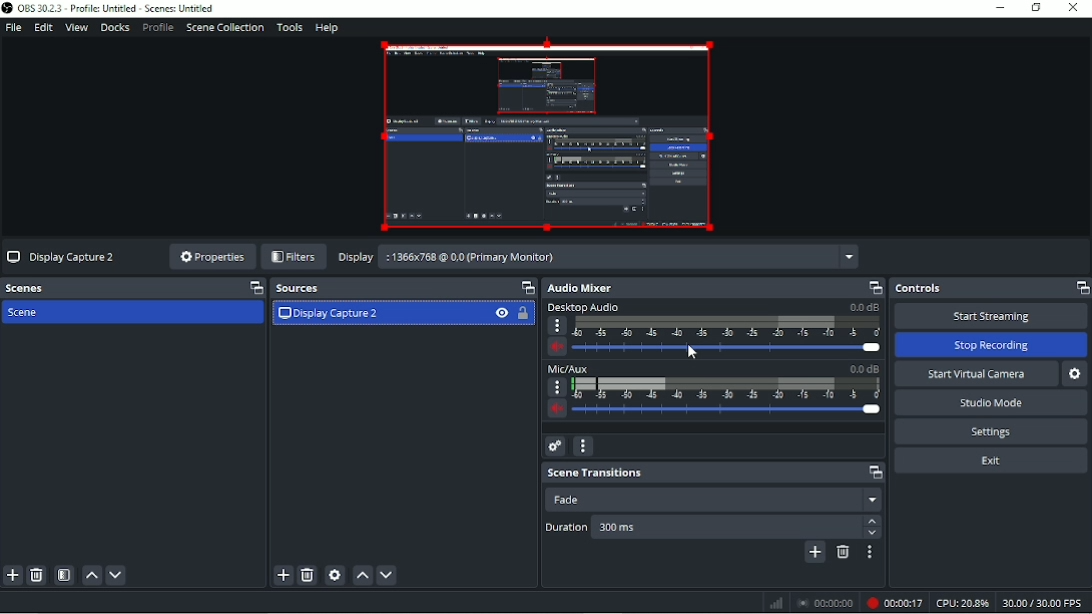 The image size is (1092, 614). What do you see at coordinates (115, 28) in the screenshot?
I see `Docks` at bounding box center [115, 28].